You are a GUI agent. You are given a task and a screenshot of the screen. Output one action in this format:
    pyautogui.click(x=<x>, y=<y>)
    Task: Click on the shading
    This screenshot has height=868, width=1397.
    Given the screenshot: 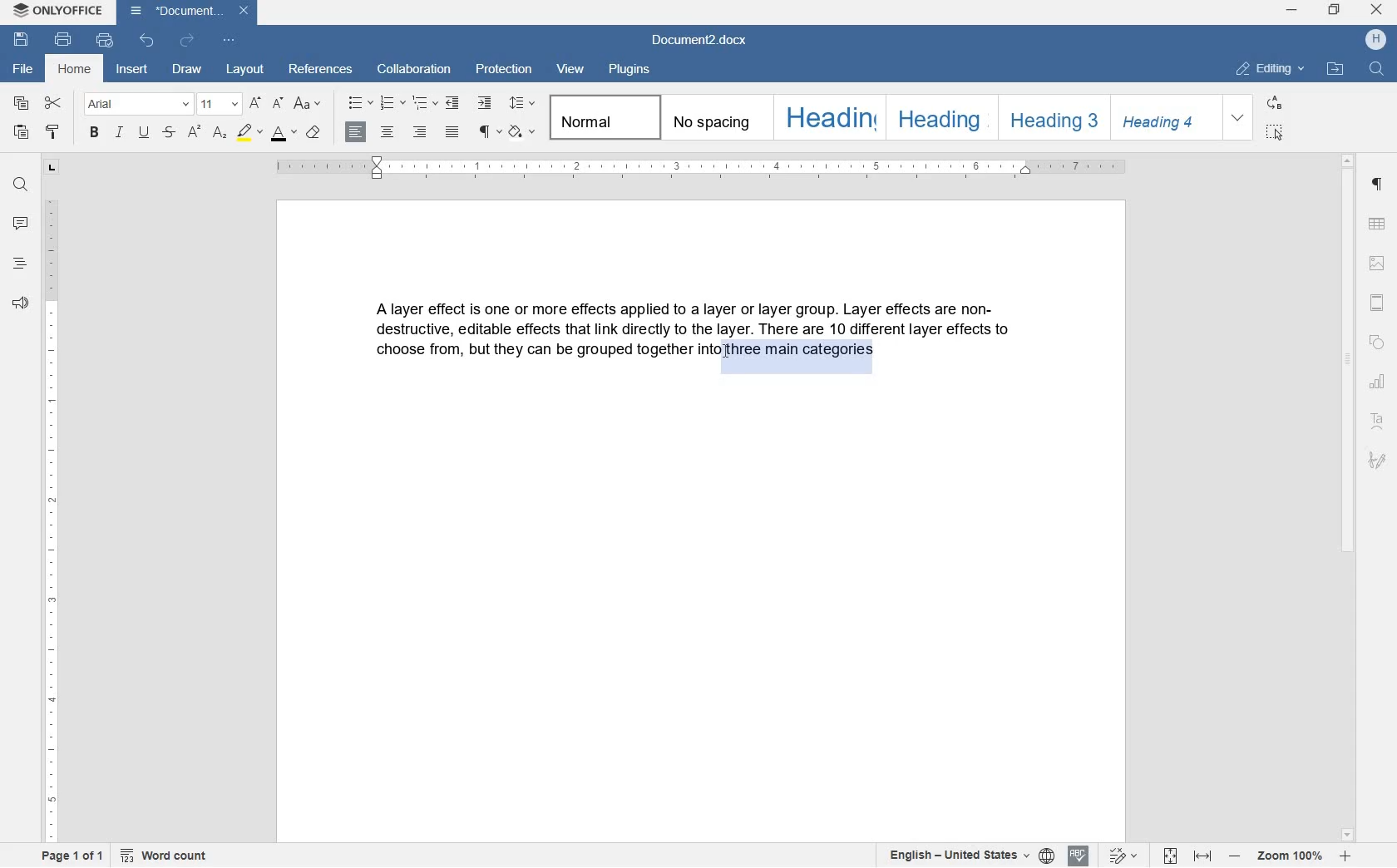 What is the action you would take?
    pyautogui.click(x=522, y=131)
    